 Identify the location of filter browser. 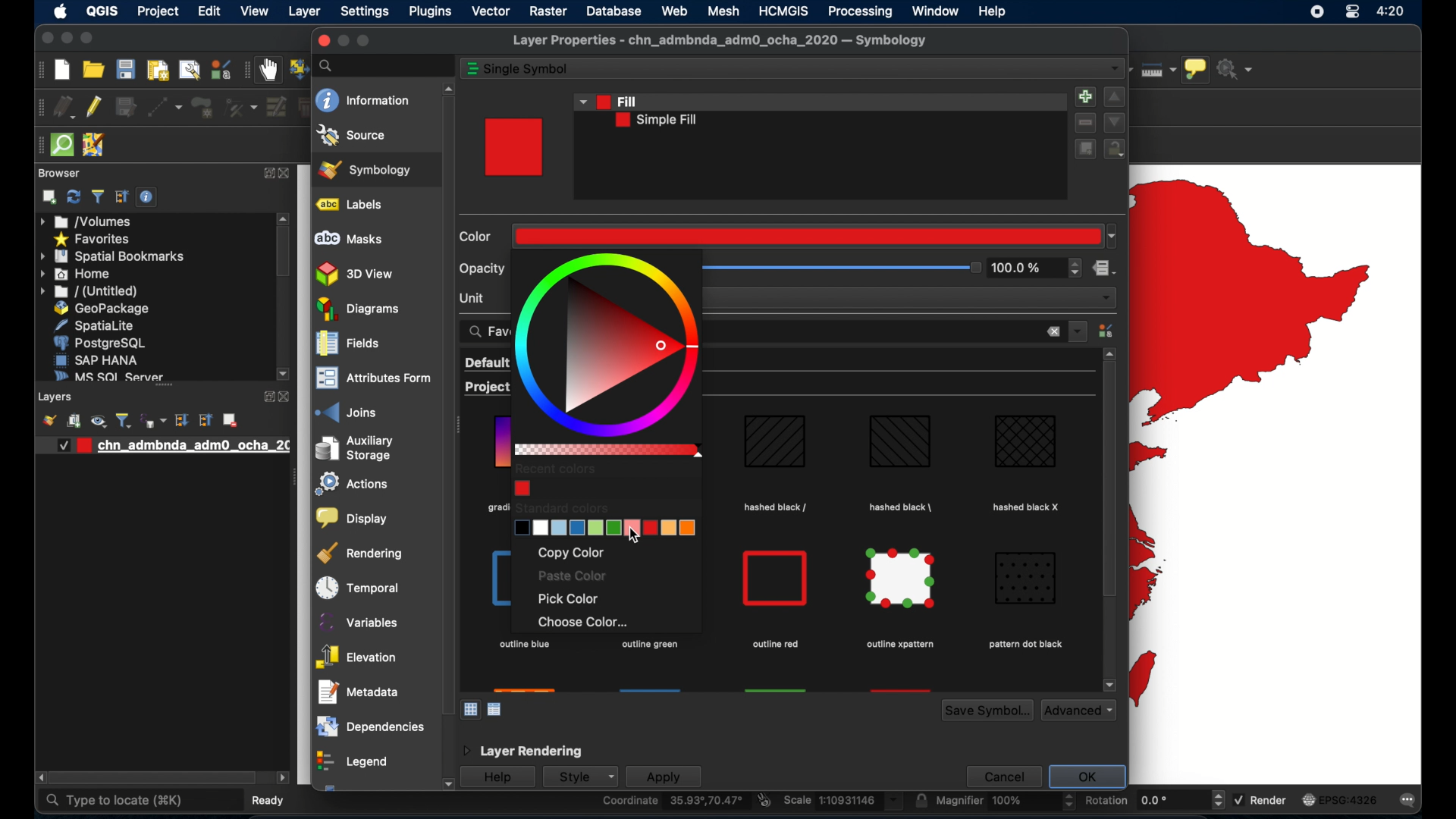
(99, 197).